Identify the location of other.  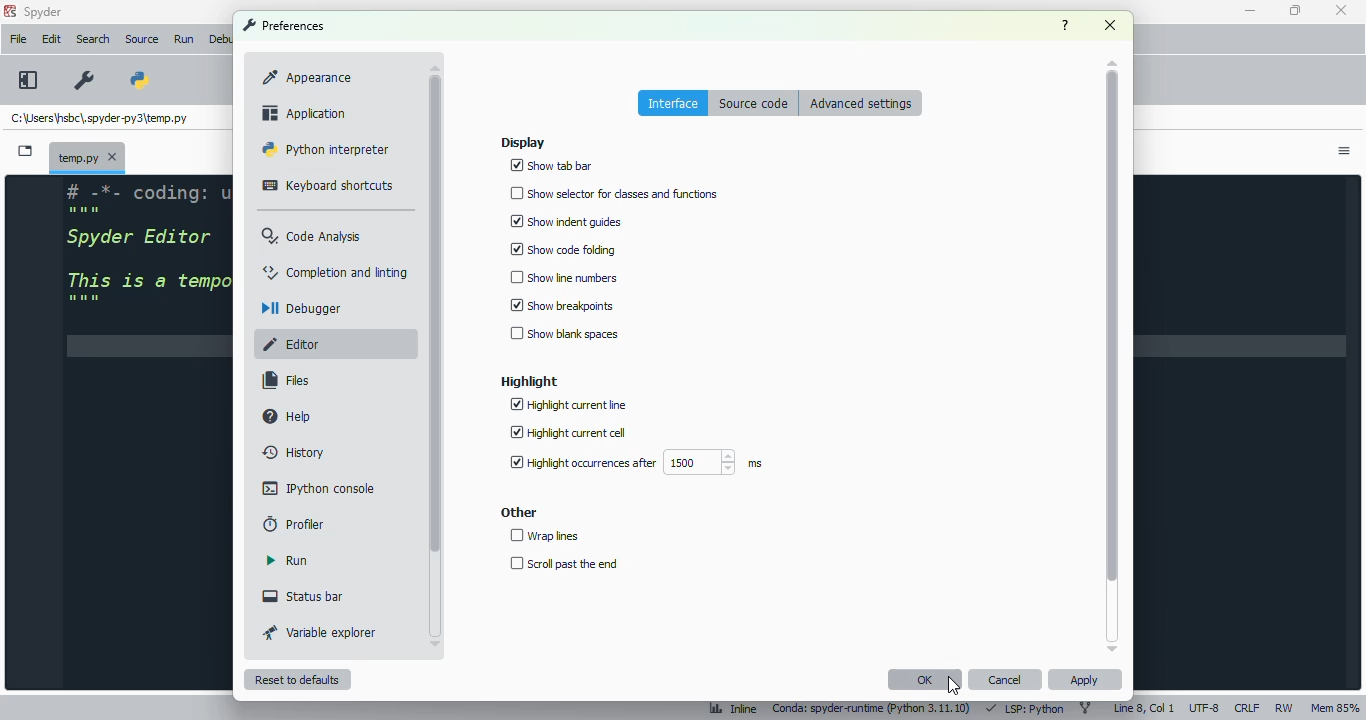
(520, 513).